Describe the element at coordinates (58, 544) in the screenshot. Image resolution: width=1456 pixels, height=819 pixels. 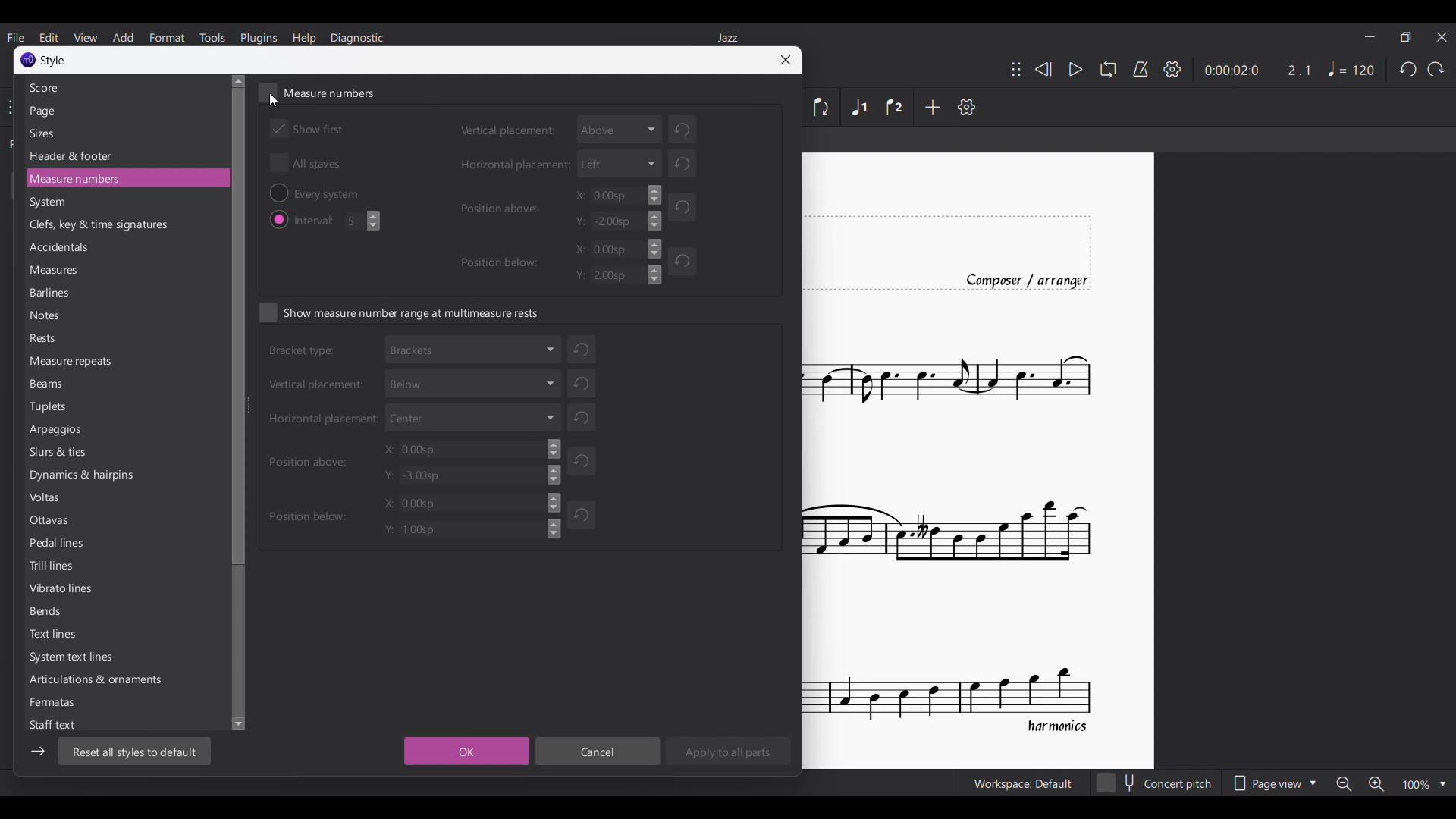
I see `Pedal lines` at that location.